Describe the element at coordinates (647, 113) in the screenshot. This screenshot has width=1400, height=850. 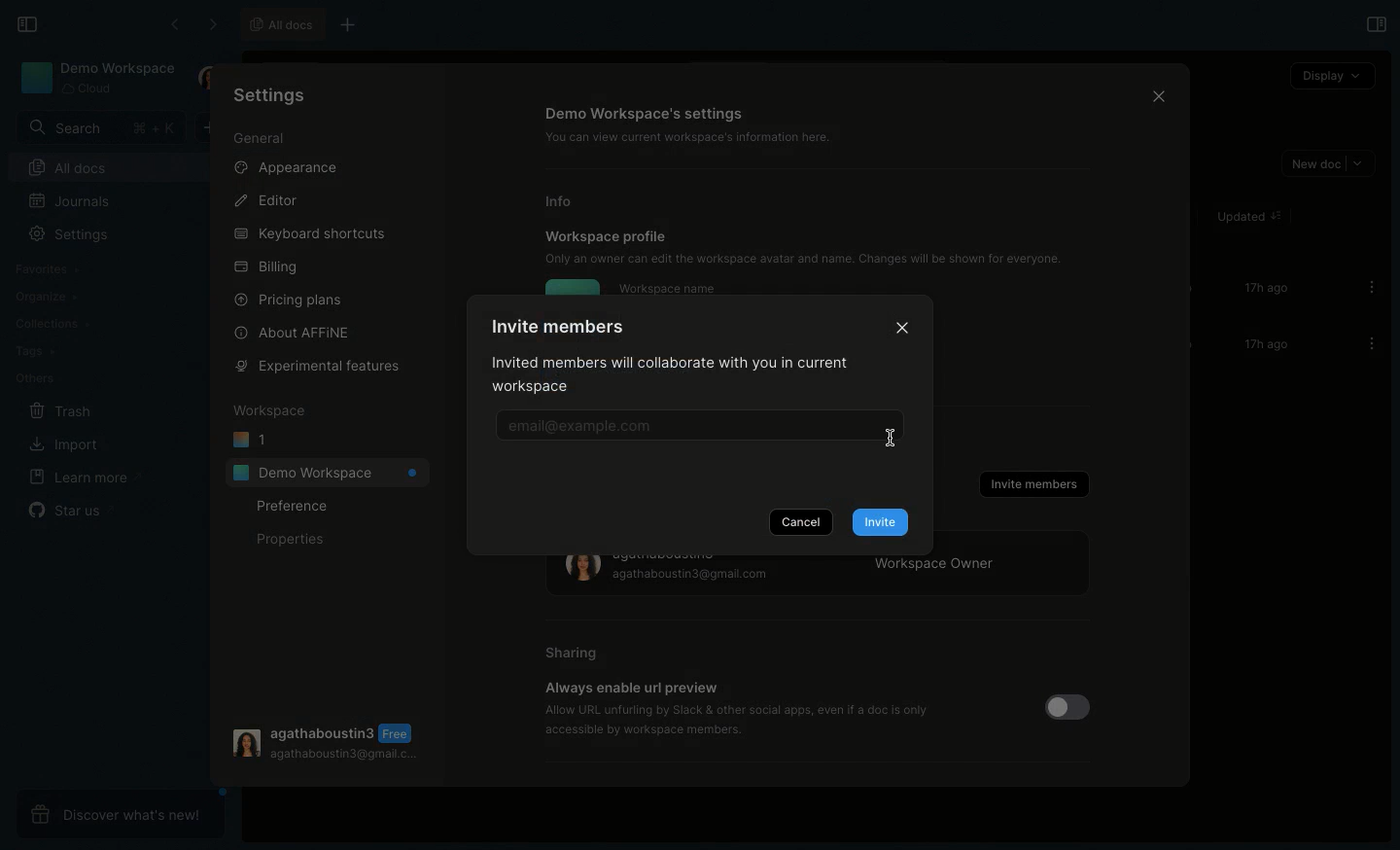
I see `Demo workspace's settings` at that location.